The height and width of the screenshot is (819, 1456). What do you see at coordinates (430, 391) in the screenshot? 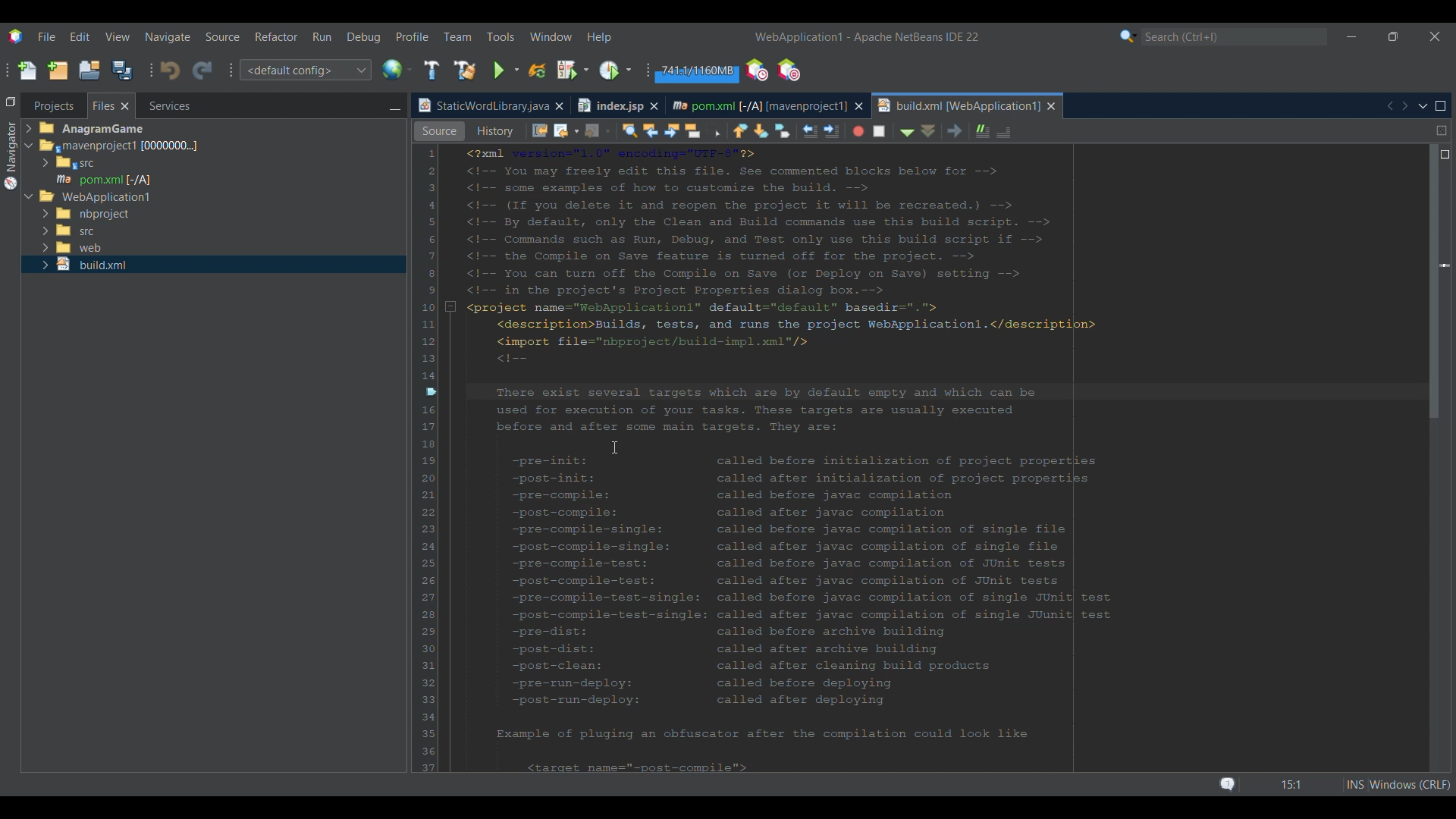
I see `Indicates bookmark added` at bounding box center [430, 391].